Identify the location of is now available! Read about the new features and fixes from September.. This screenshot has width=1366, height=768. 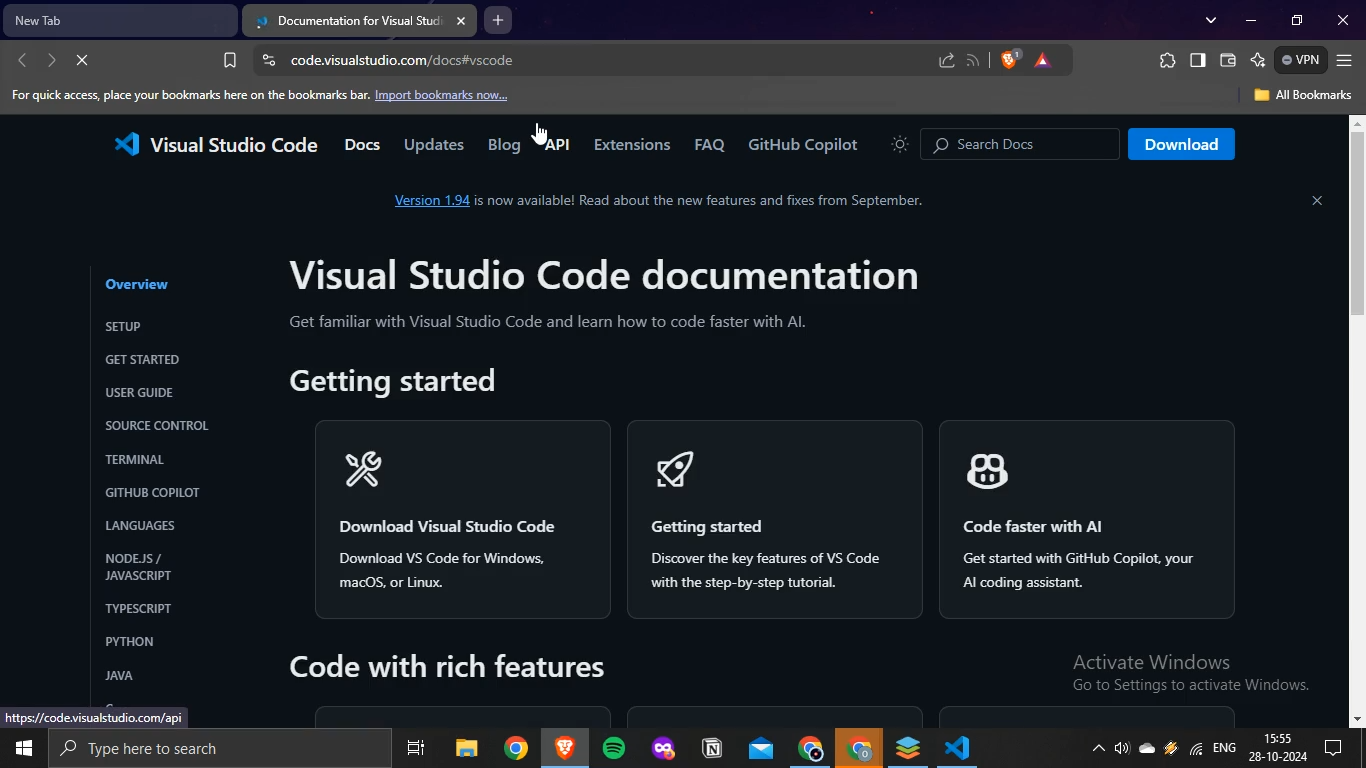
(704, 200).